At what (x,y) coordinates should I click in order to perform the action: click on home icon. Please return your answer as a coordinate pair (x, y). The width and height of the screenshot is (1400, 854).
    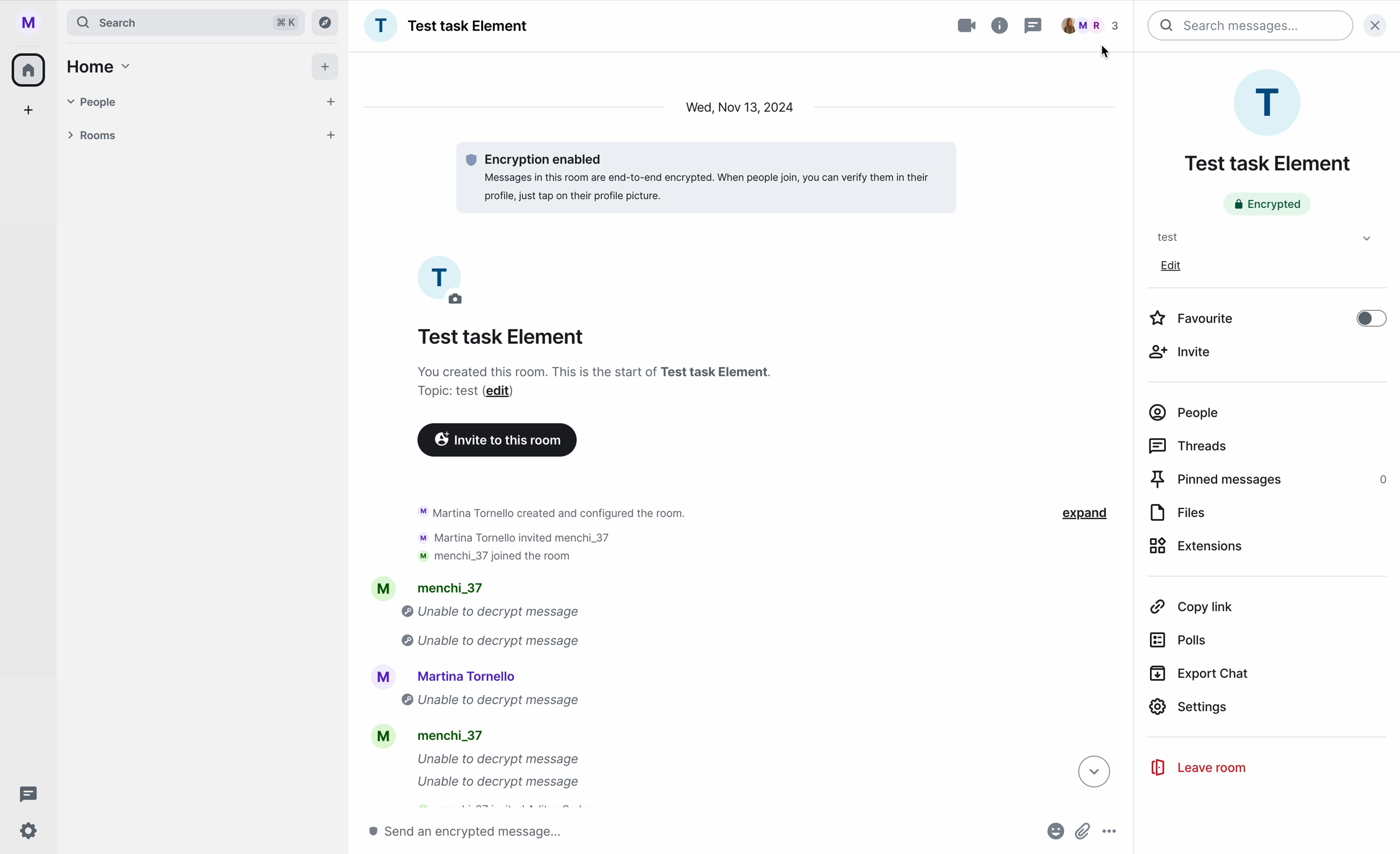
    Looking at the image, I should click on (31, 68).